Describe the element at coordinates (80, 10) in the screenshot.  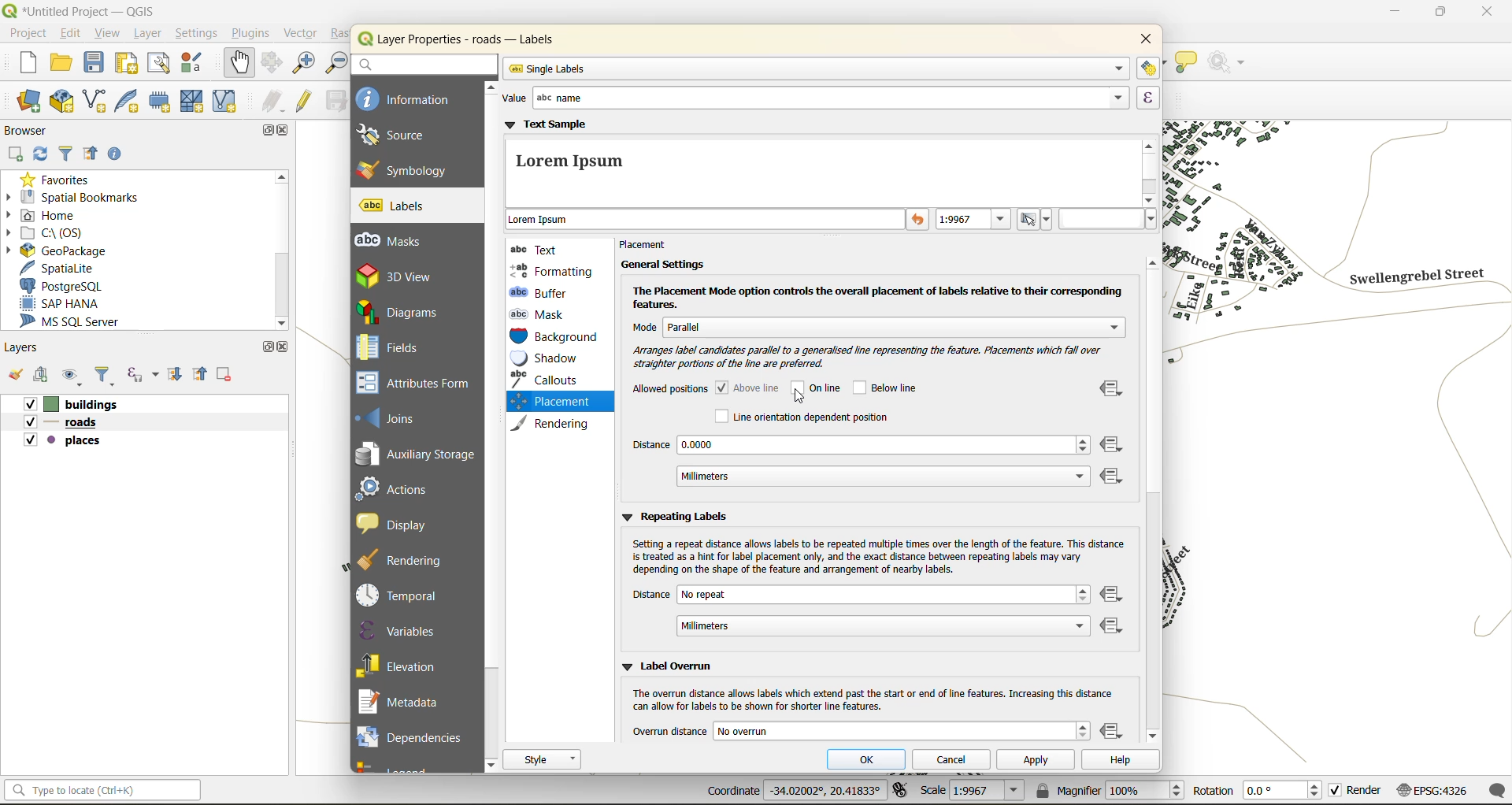
I see `file name and app name` at that location.